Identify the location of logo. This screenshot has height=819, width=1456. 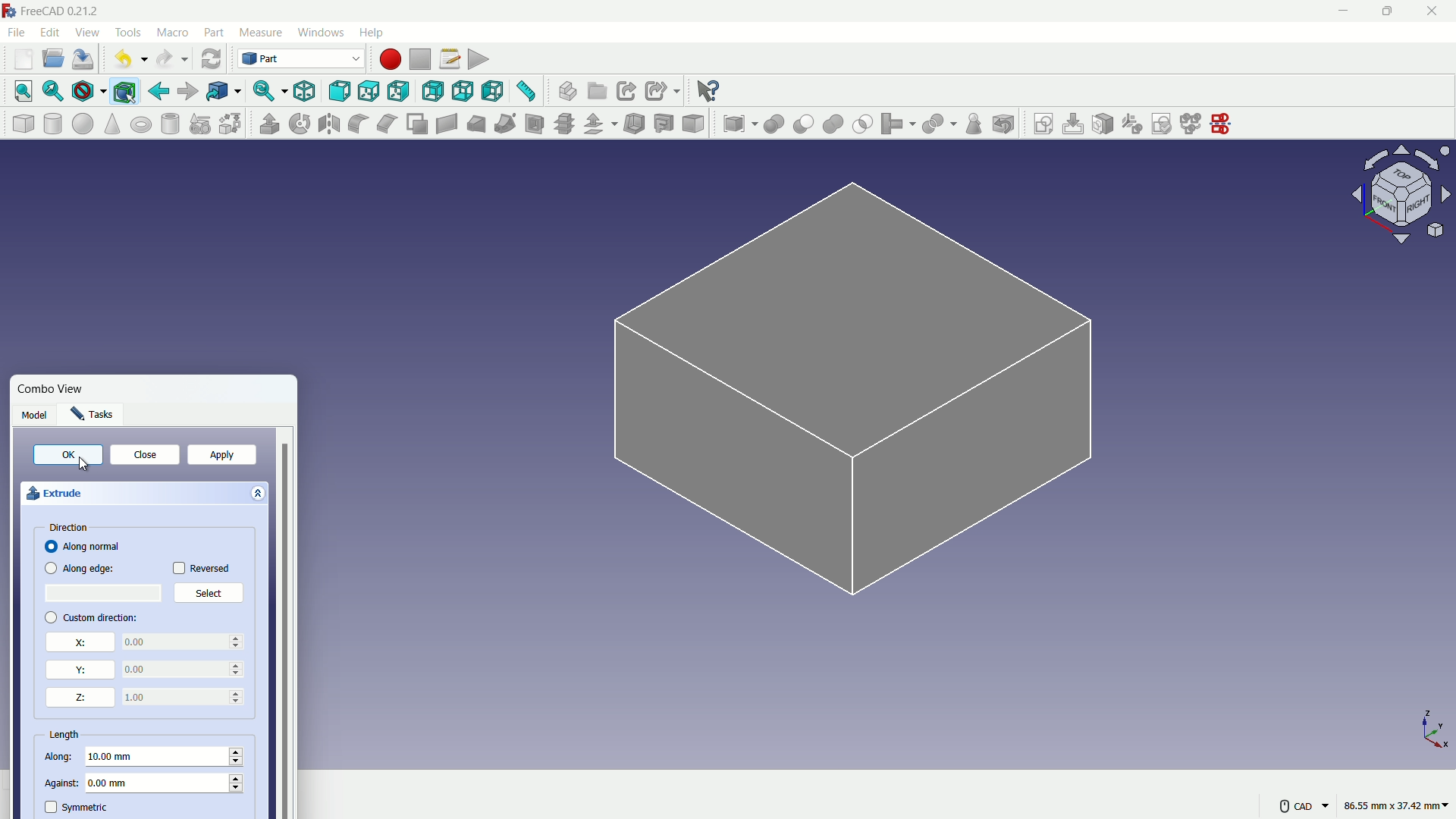
(11, 11).